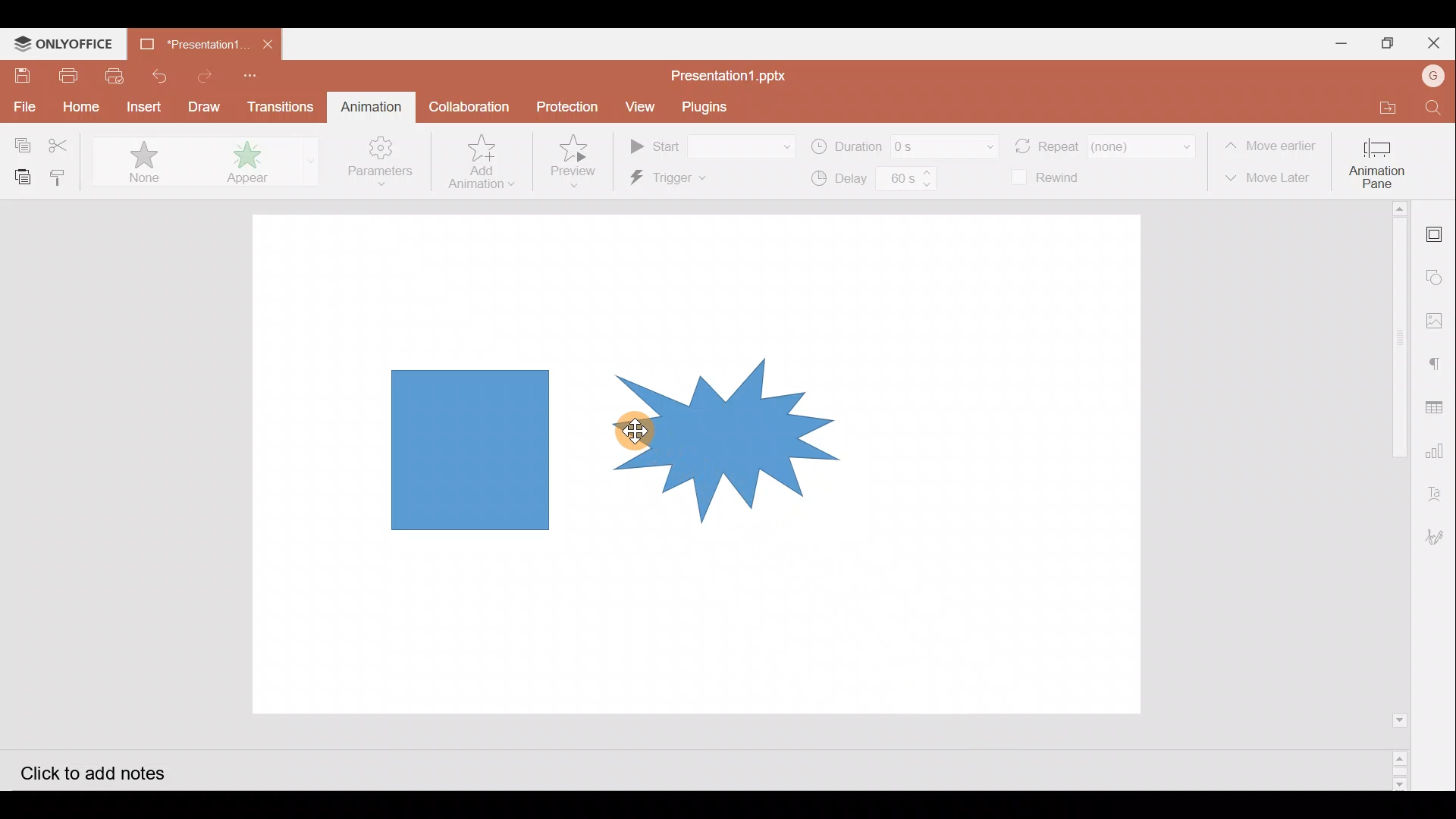  Describe the element at coordinates (205, 74) in the screenshot. I see `Redo` at that location.